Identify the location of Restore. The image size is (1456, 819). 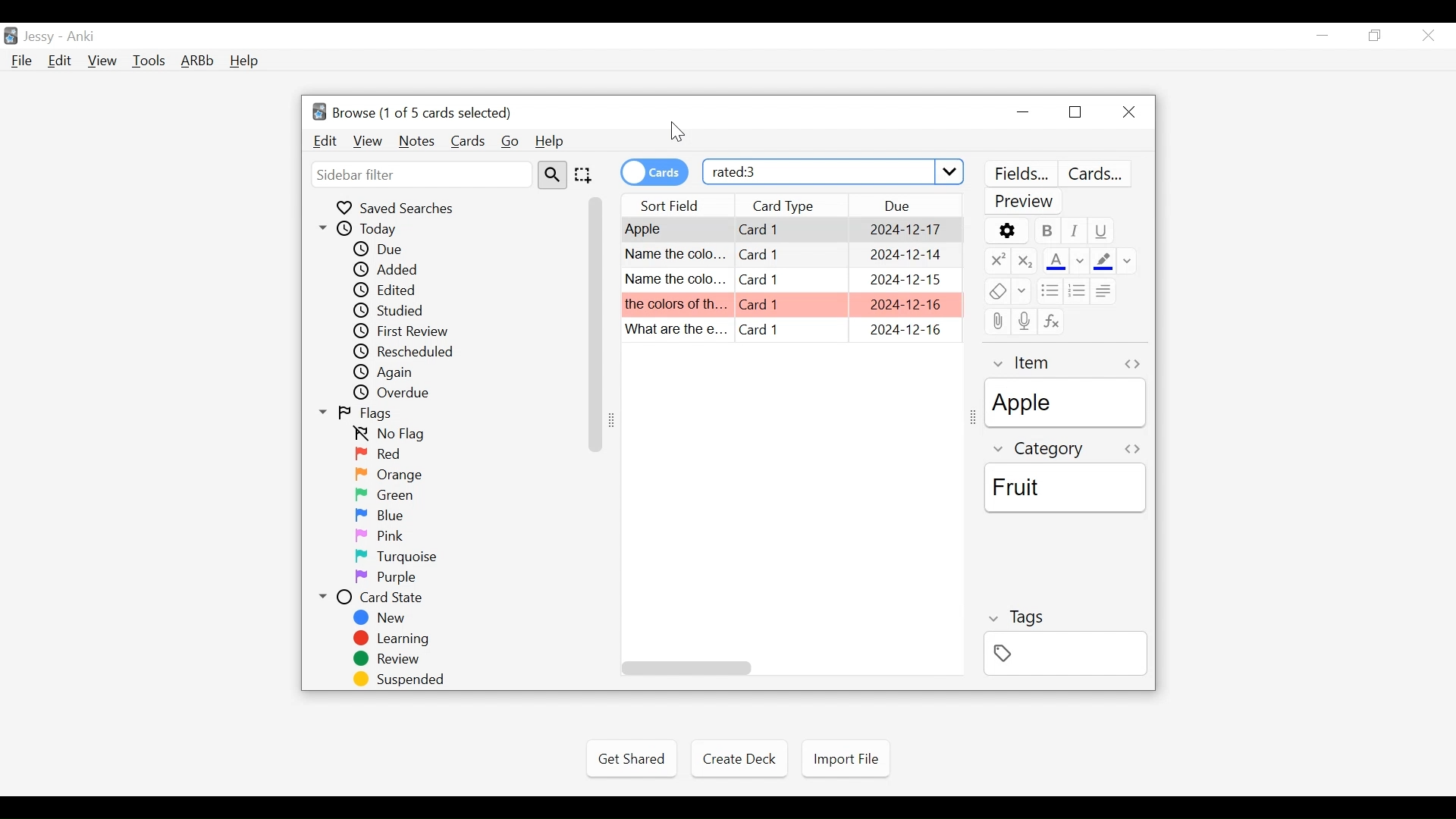
(1075, 114).